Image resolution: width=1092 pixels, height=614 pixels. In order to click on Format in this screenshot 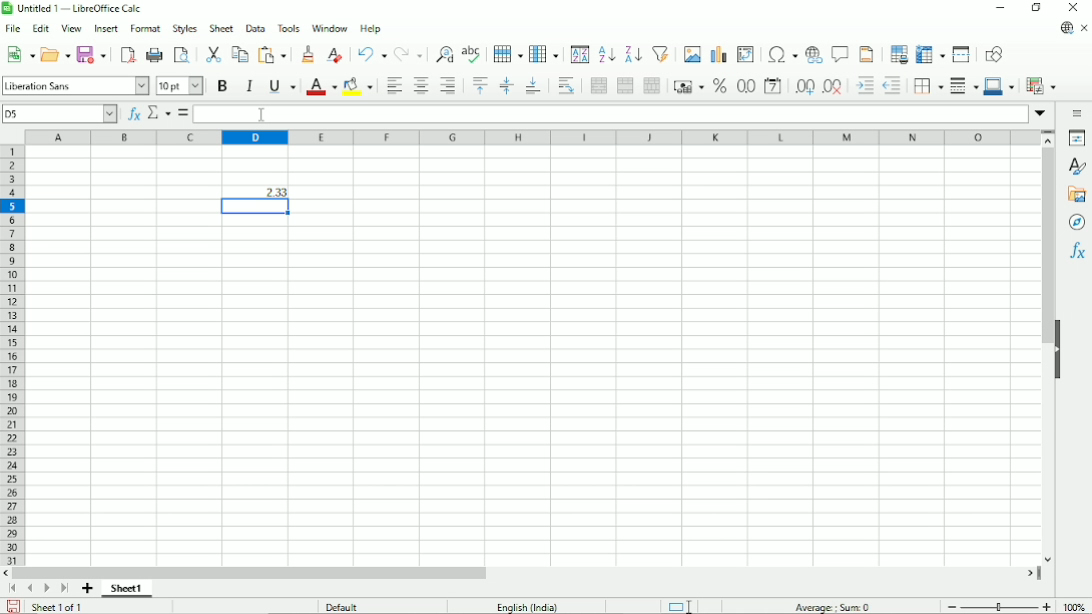, I will do `click(146, 28)`.